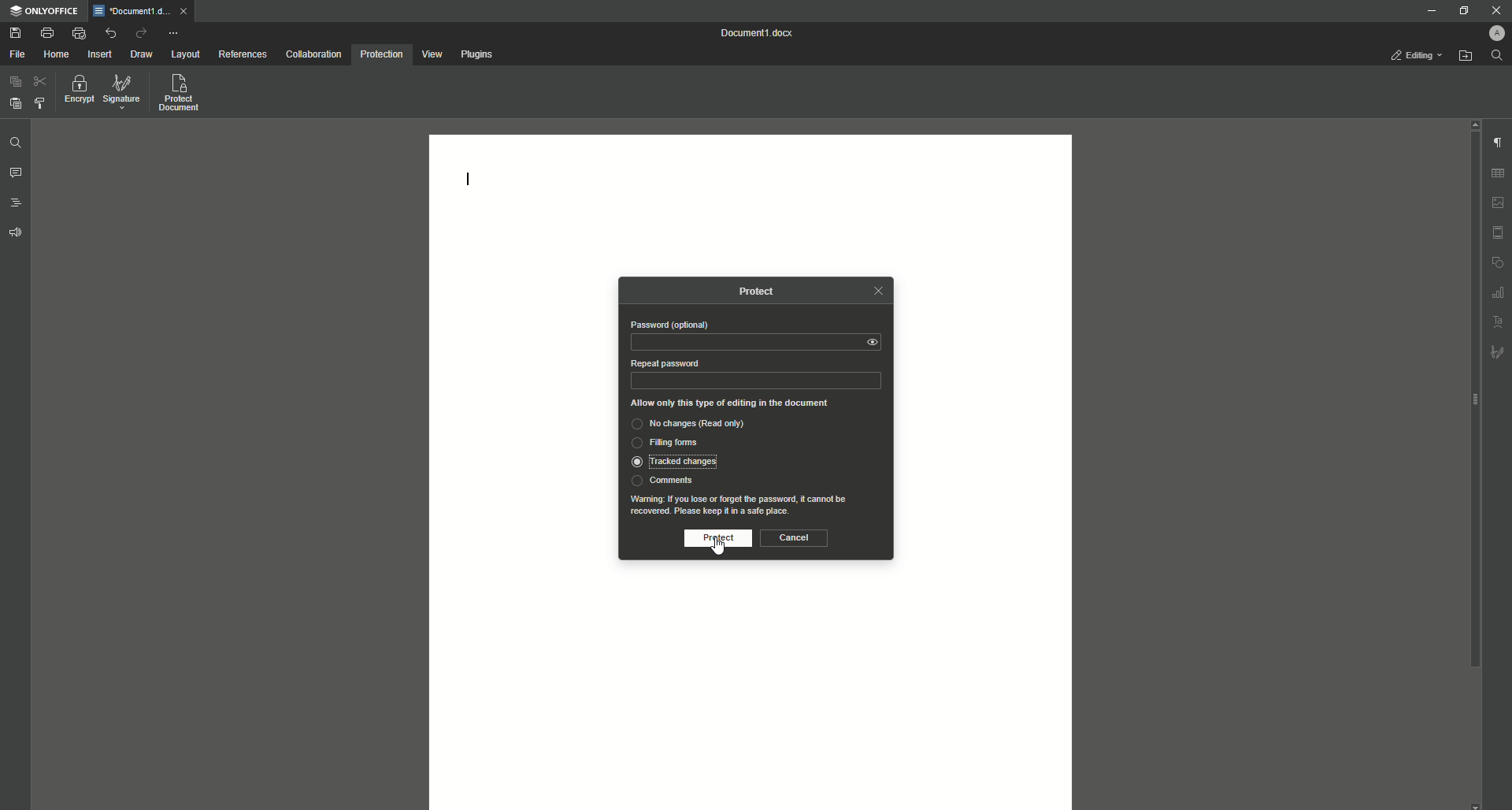 This screenshot has width=1512, height=810. What do you see at coordinates (669, 324) in the screenshot?
I see `Password (optional)` at bounding box center [669, 324].